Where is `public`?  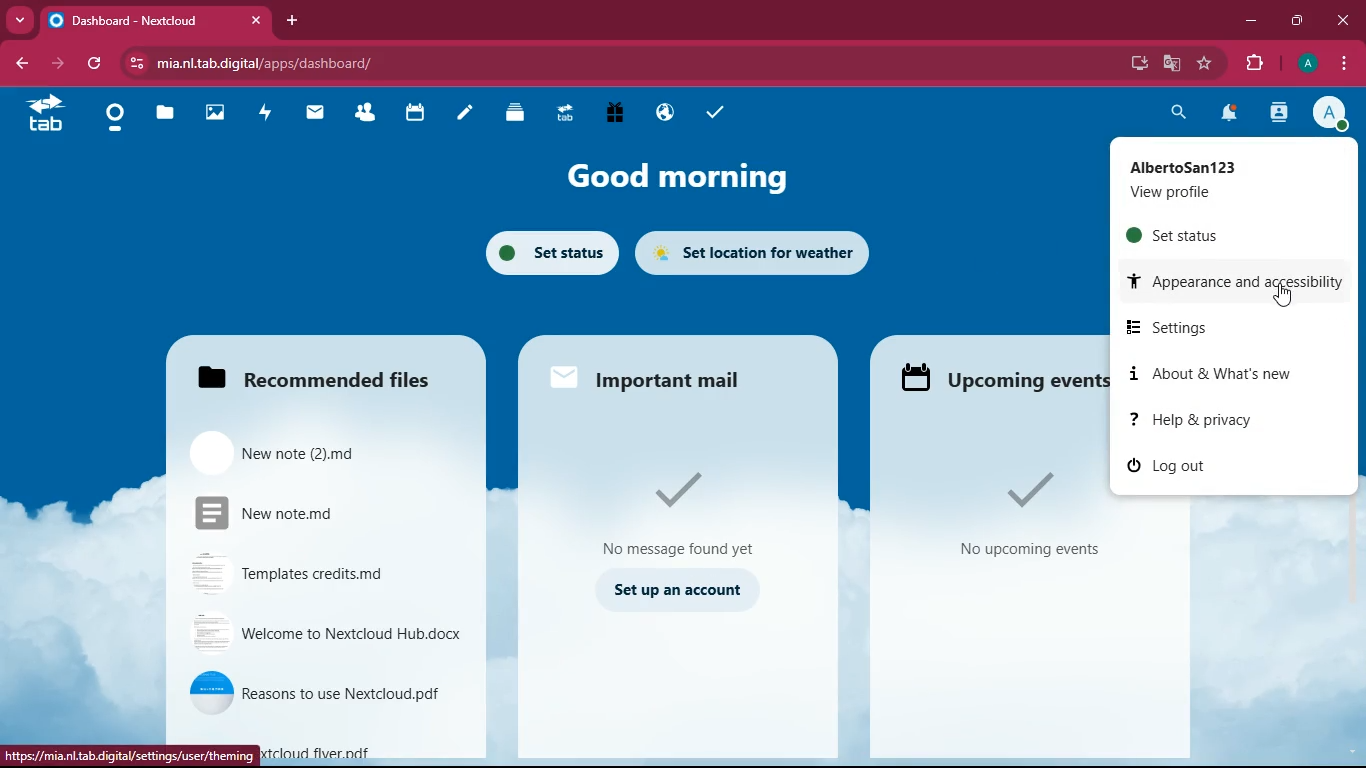 public is located at coordinates (661, 112).